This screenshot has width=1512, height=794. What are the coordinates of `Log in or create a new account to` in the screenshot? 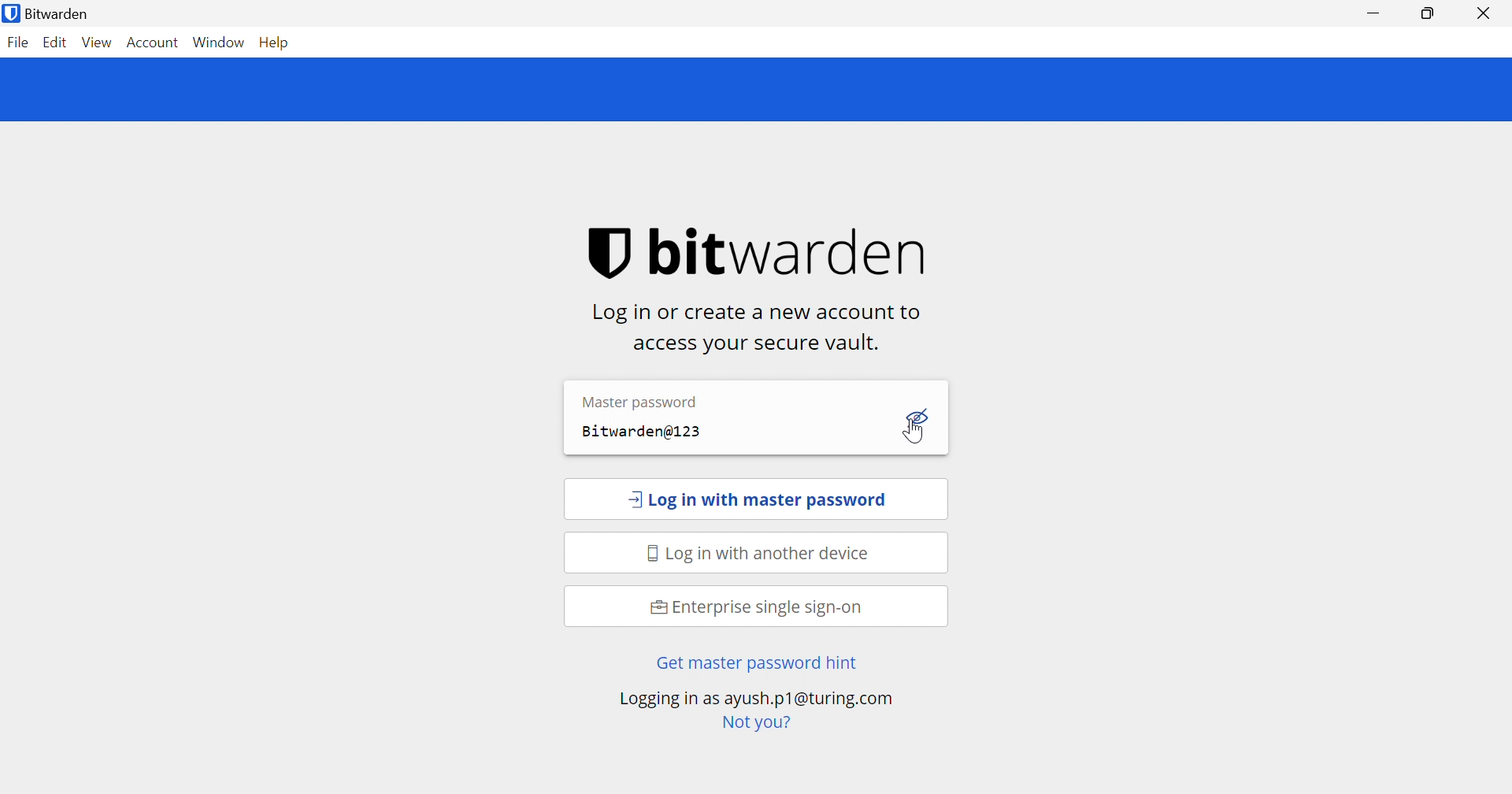 It's located at (762, 313).